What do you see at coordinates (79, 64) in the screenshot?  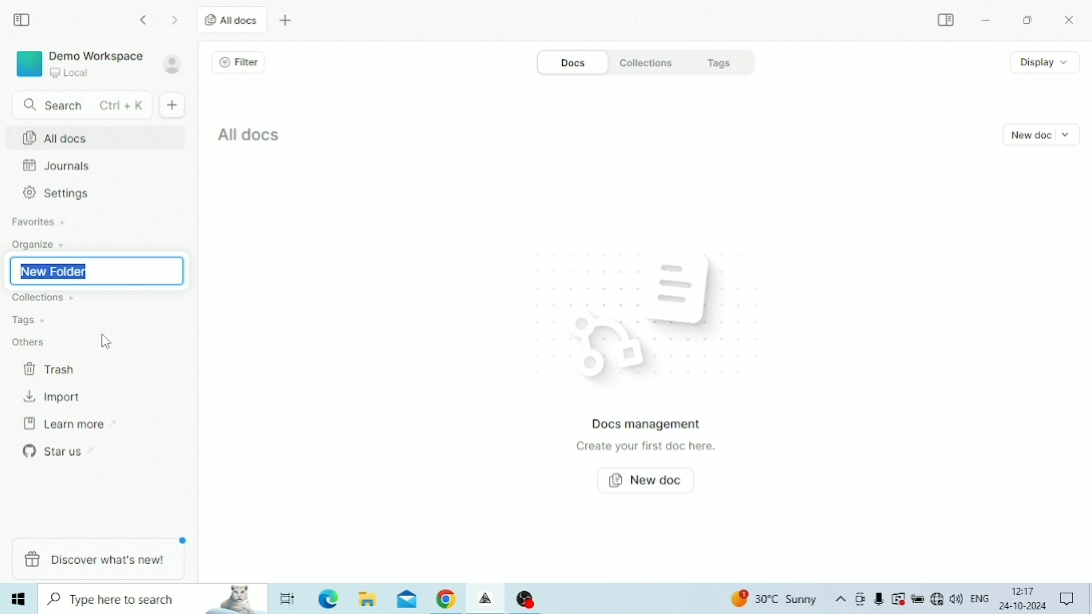 I see `Demo Workspace` at bounding box center [79, 64].